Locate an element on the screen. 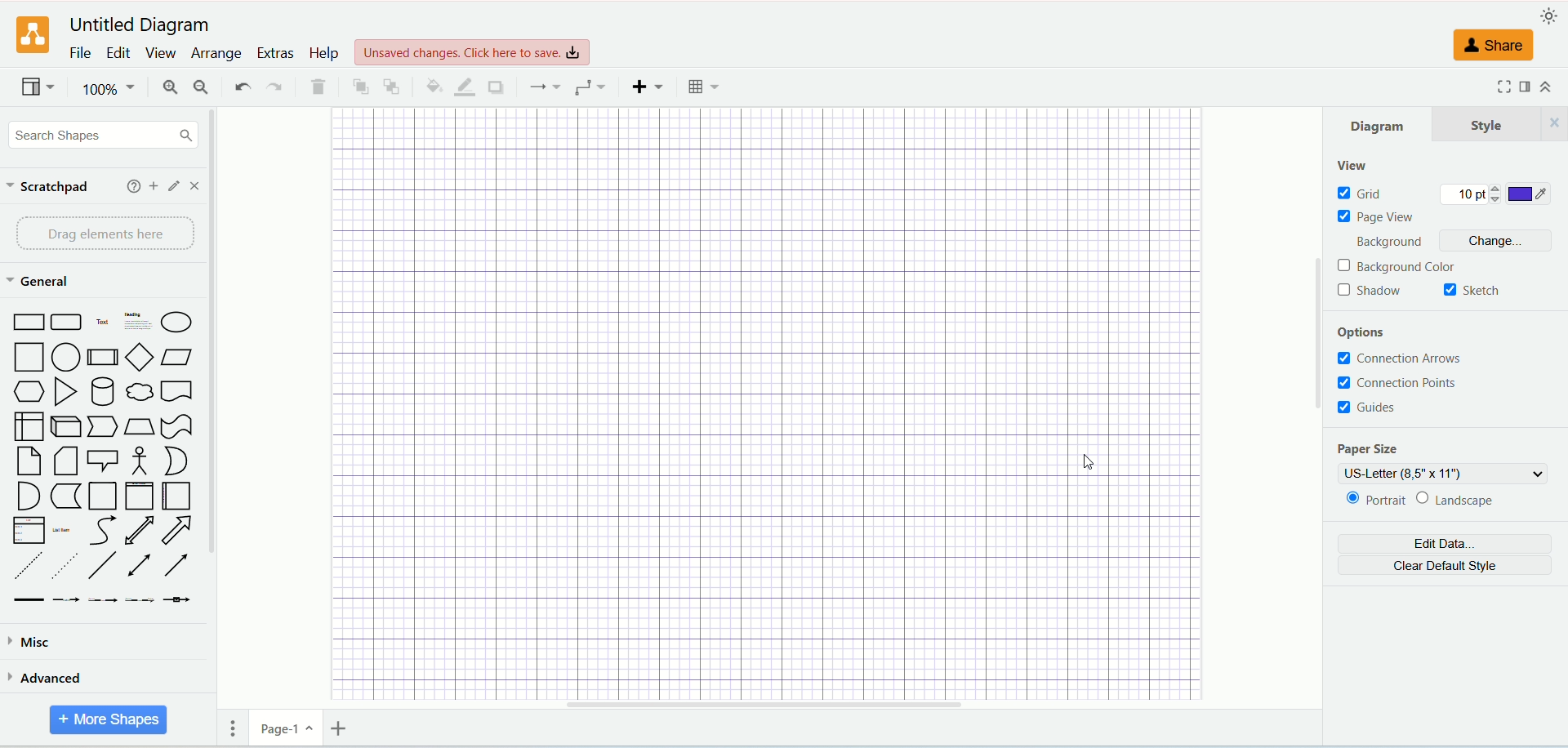 The image size is (1568, 748). edit data is located at coordinates (1445, 544).